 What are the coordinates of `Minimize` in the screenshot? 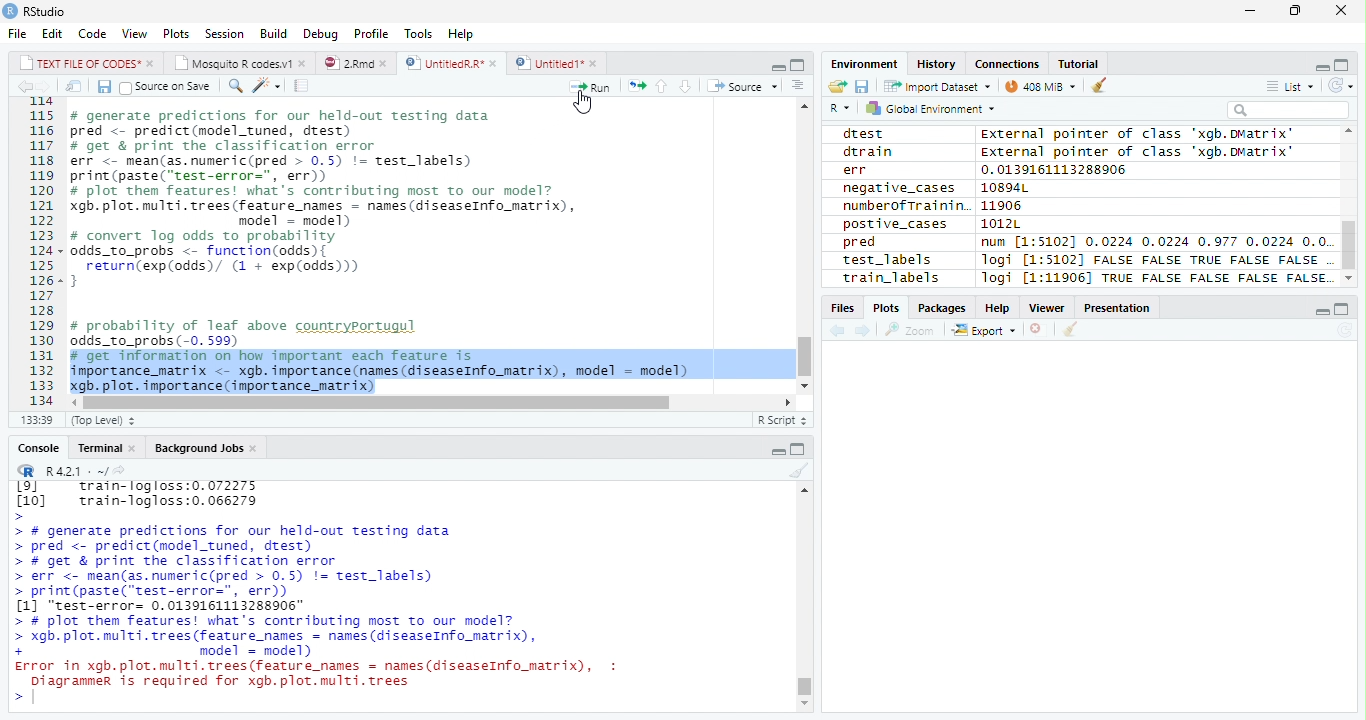 It's located at (779, 451).